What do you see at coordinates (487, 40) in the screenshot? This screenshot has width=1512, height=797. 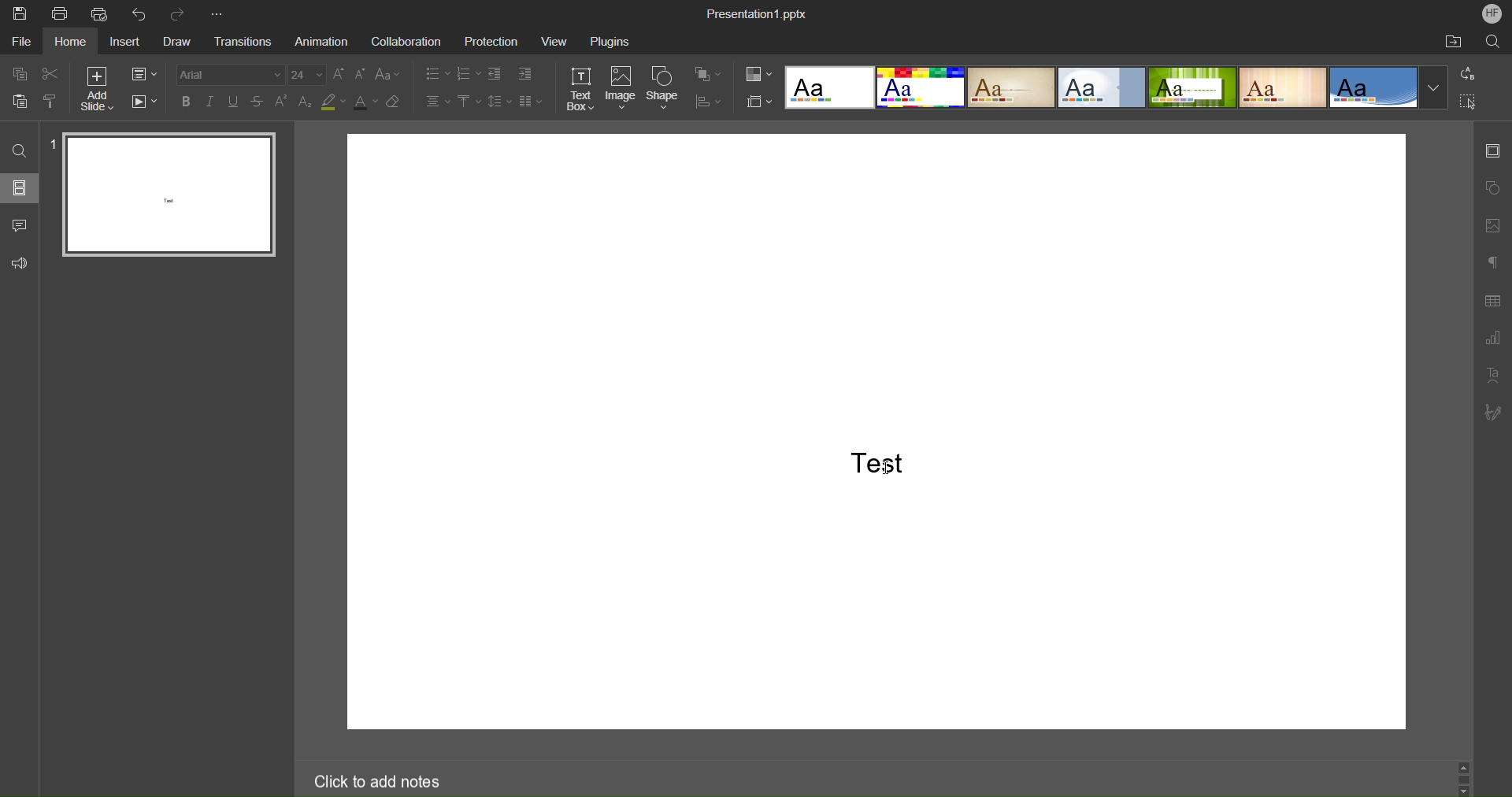 I see `Protection` at bounding box center [487, 40].